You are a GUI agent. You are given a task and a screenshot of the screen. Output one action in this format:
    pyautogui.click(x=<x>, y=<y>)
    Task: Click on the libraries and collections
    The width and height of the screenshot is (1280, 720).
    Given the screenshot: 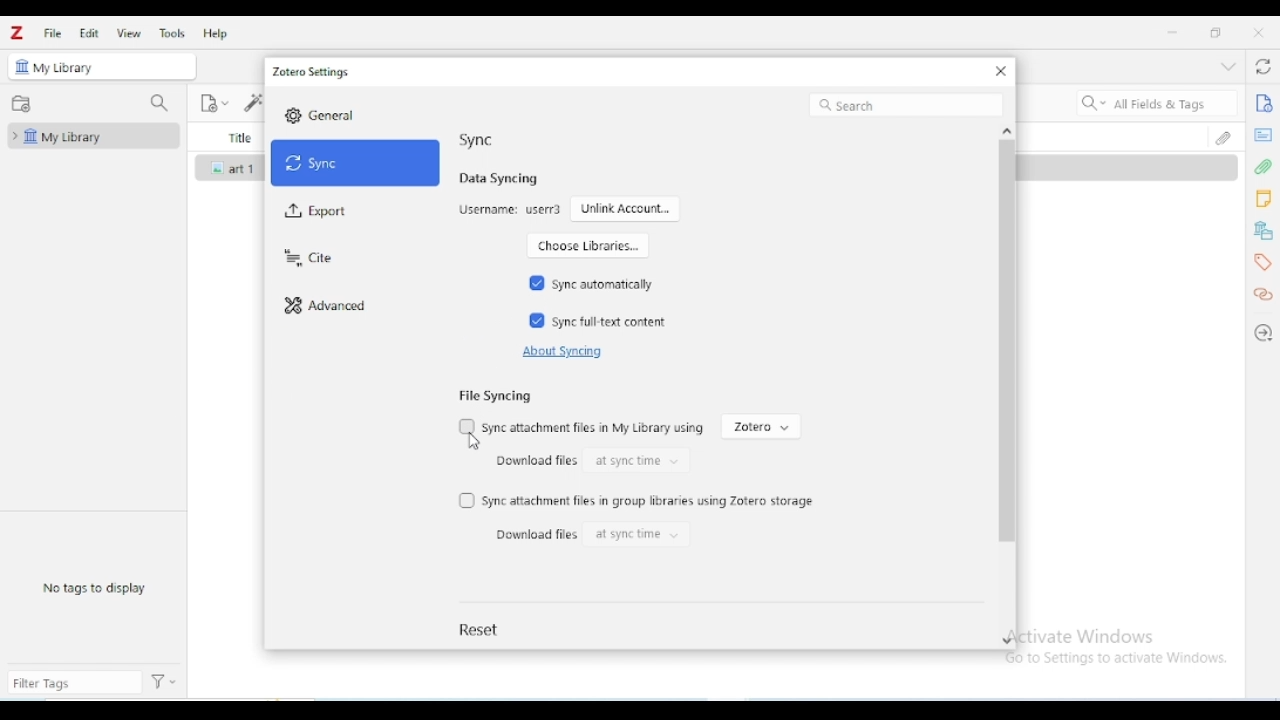 What is the action you would take?
    pyautogui.click(x=1263, y=231)
    